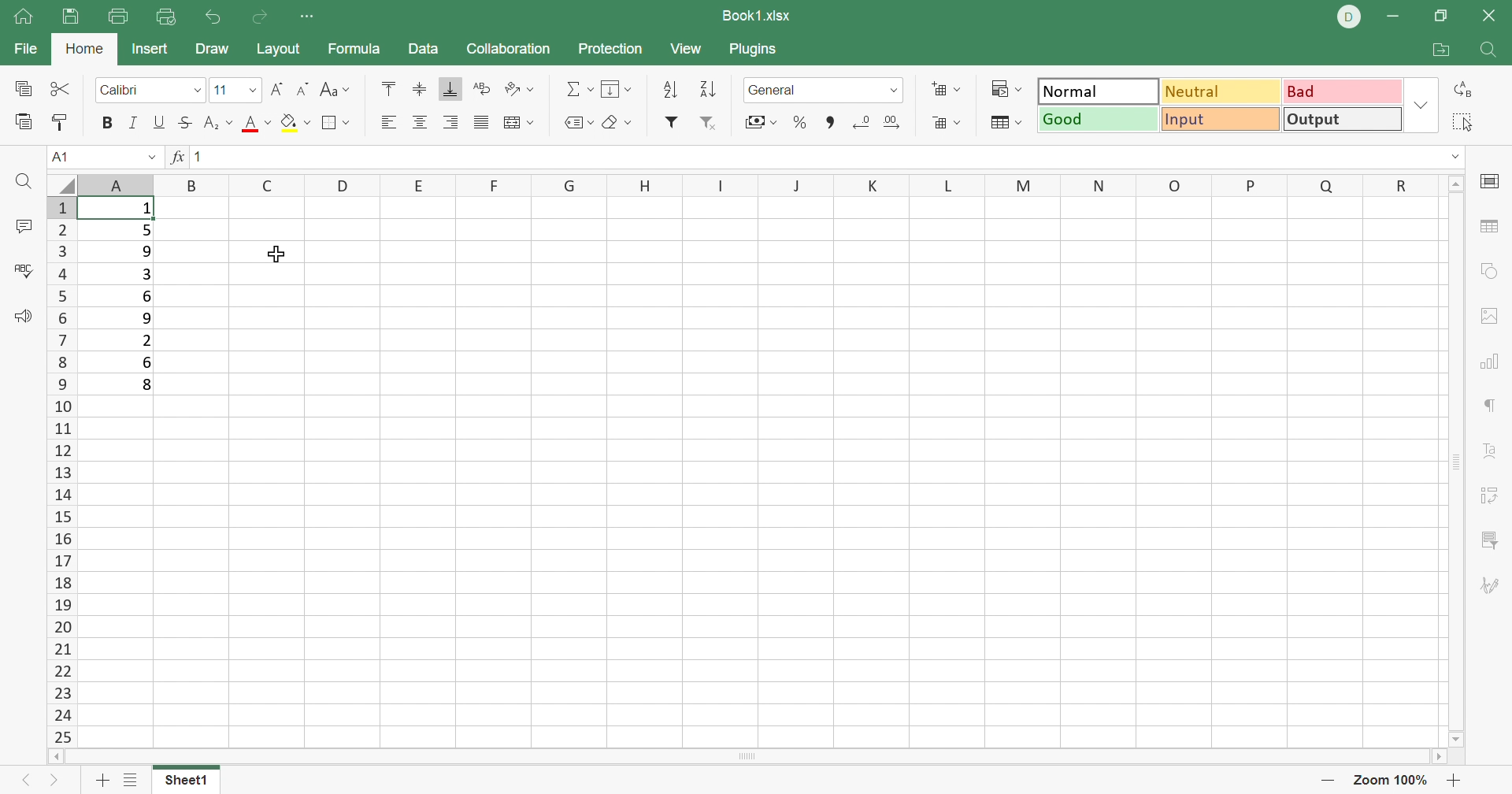 The height and width of the screenshot is (794, 1512). Describe the element at coordinates (158, 123) in the screenshot. I see `Underline` at that location.